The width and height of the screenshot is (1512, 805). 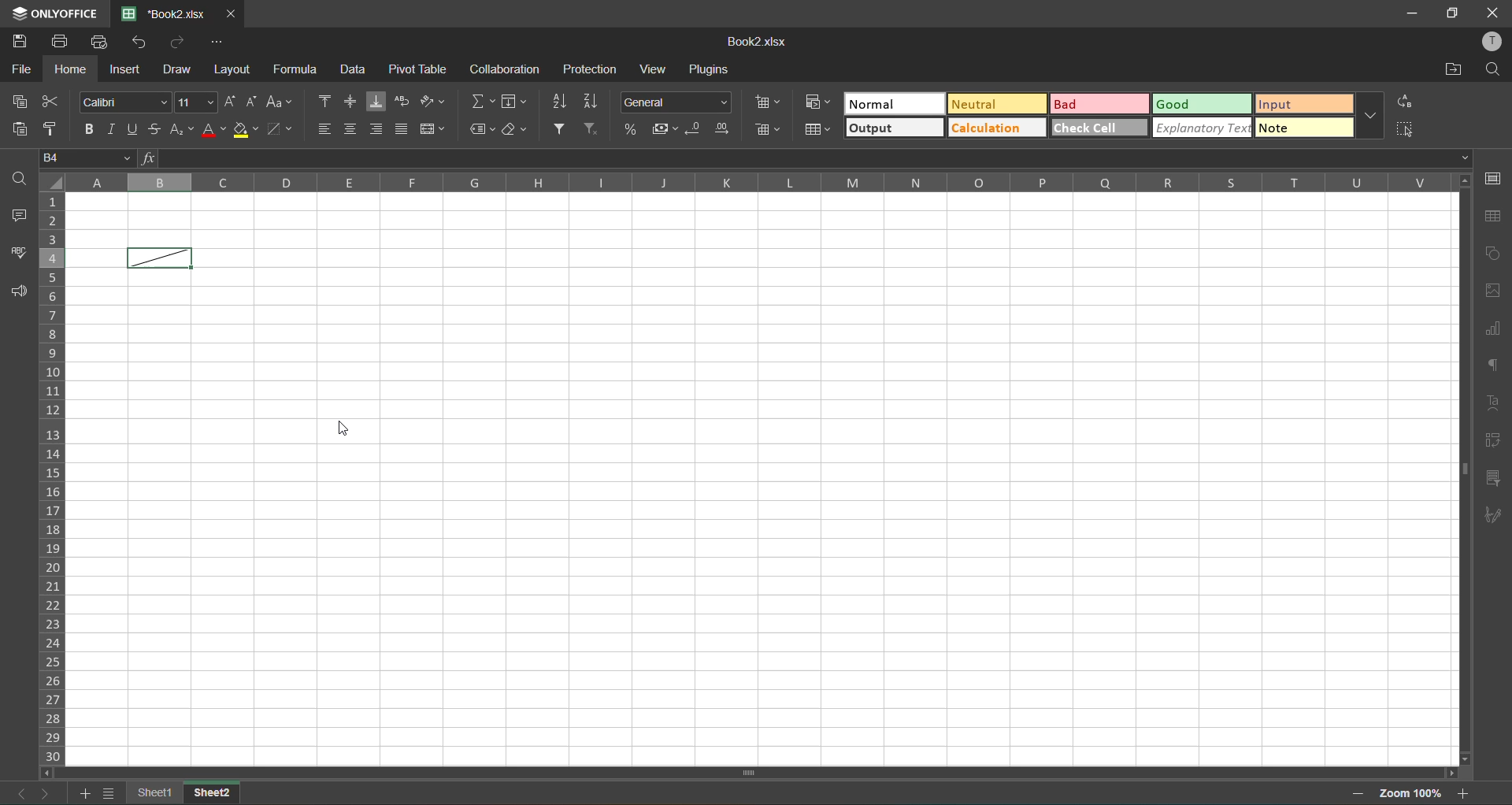 I want to click on formula, so click(x=298, y=71).